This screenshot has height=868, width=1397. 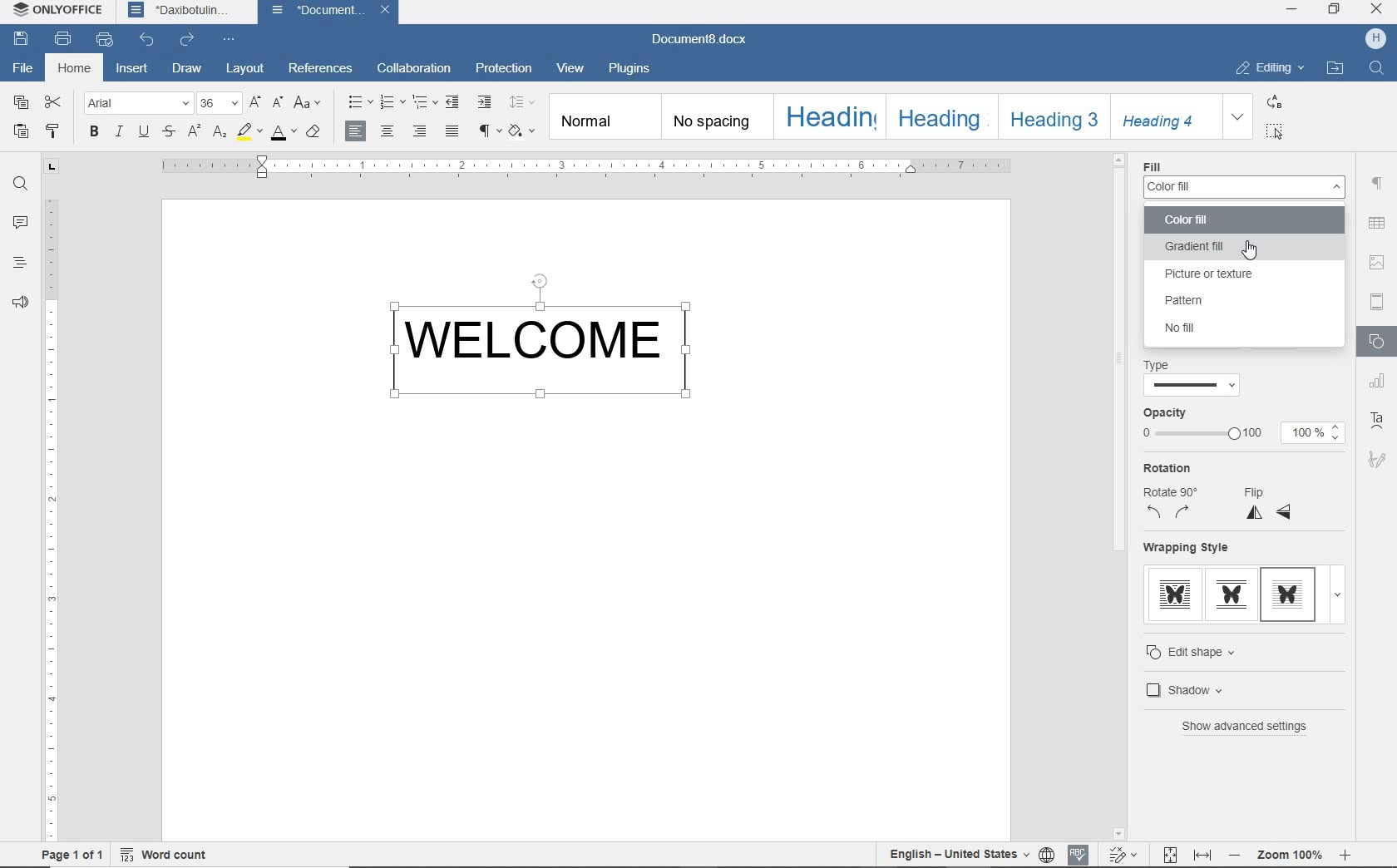 What do you see at coordinates (1379, 421) in the screenshot?
I see `TEXT ART` at bounding box center [1379, 421].